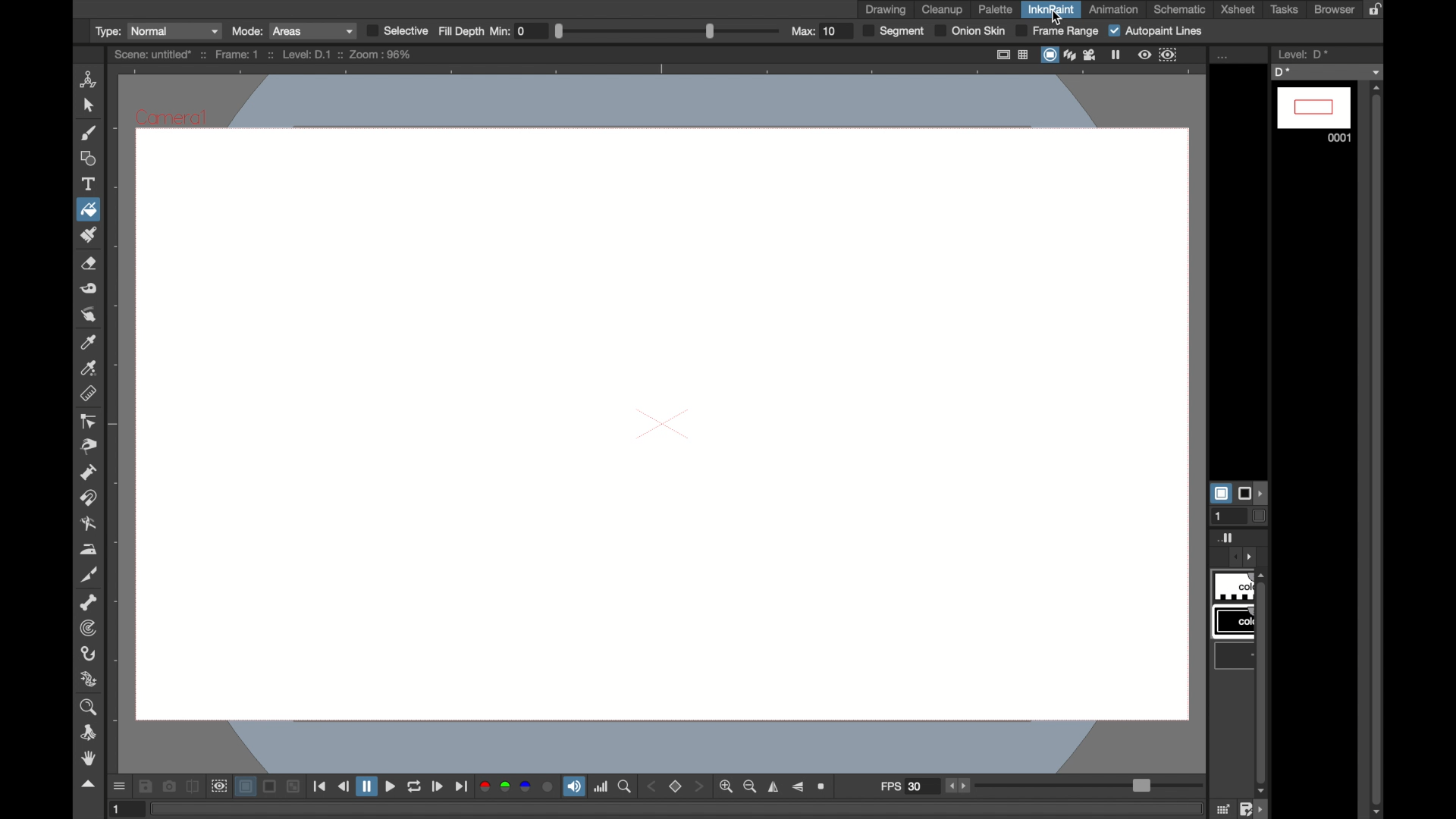 The width and height of the screenshot is (1456, 819). What do you see at coordinates (1004, 55) in the screenshot?
I see `full screen` at bounding box center [1004, 55].